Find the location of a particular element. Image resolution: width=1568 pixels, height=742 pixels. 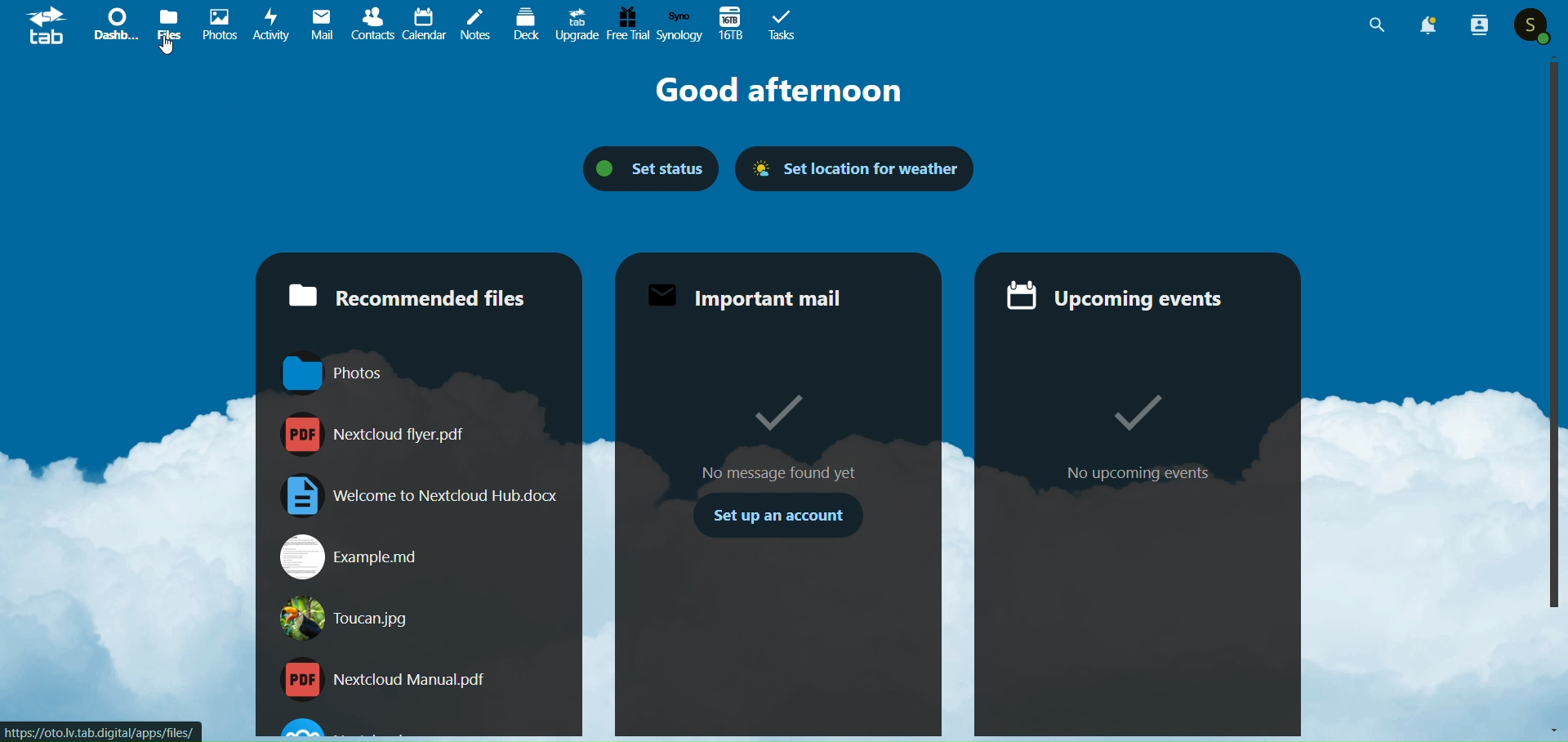

search is located at coordinates (1370, 26).